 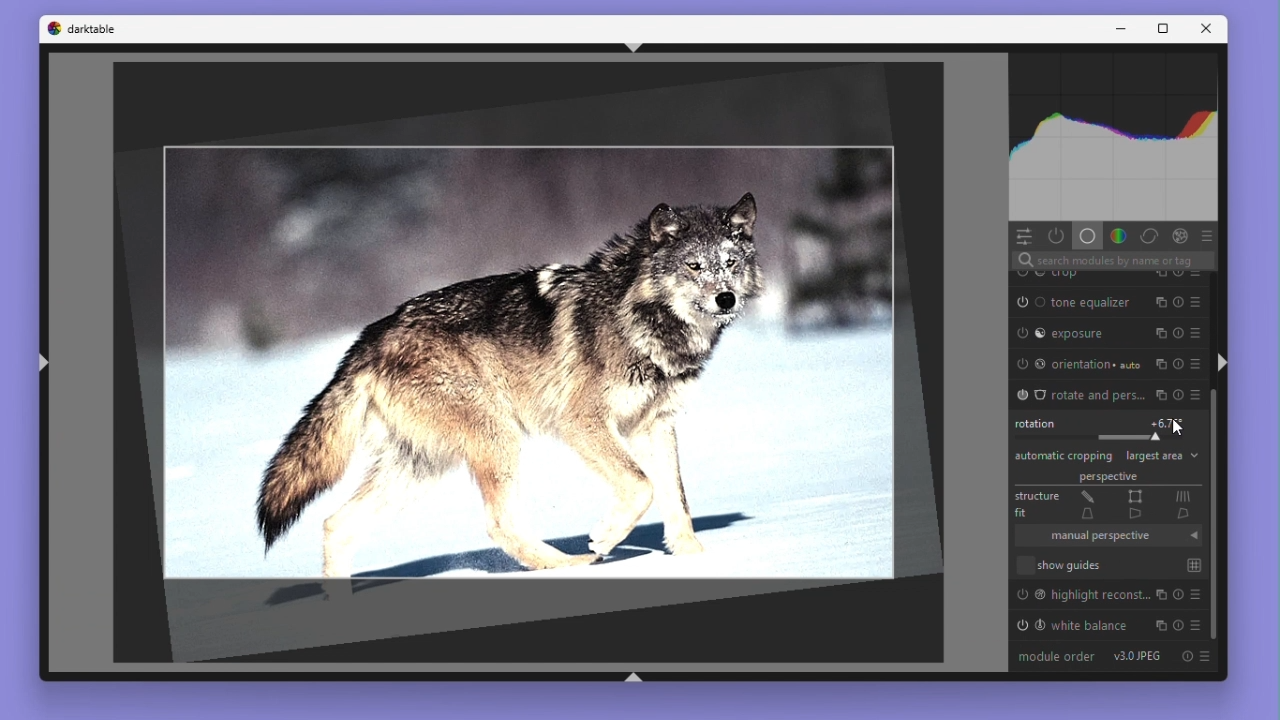 What do you see at coordinates (1152, 235) in the screenshot?
I see `Correct` at bounding box center [1152, 235].